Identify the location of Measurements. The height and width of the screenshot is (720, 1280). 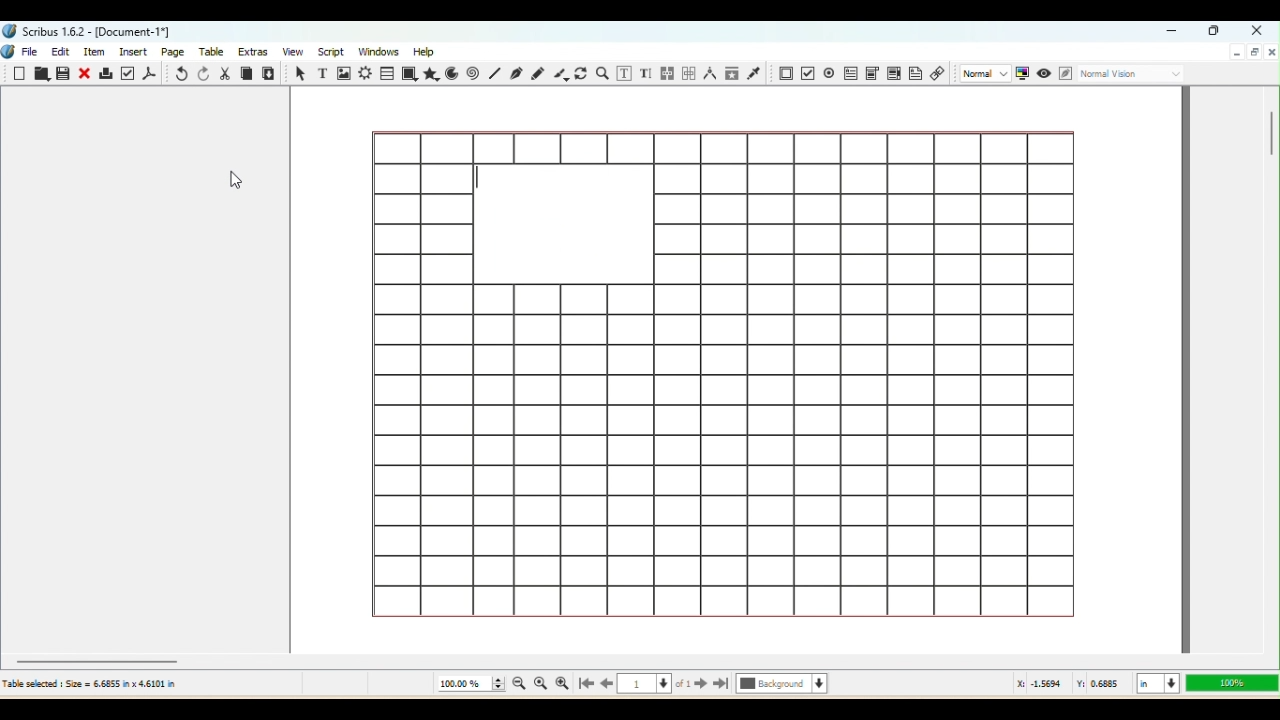
(708, 74).